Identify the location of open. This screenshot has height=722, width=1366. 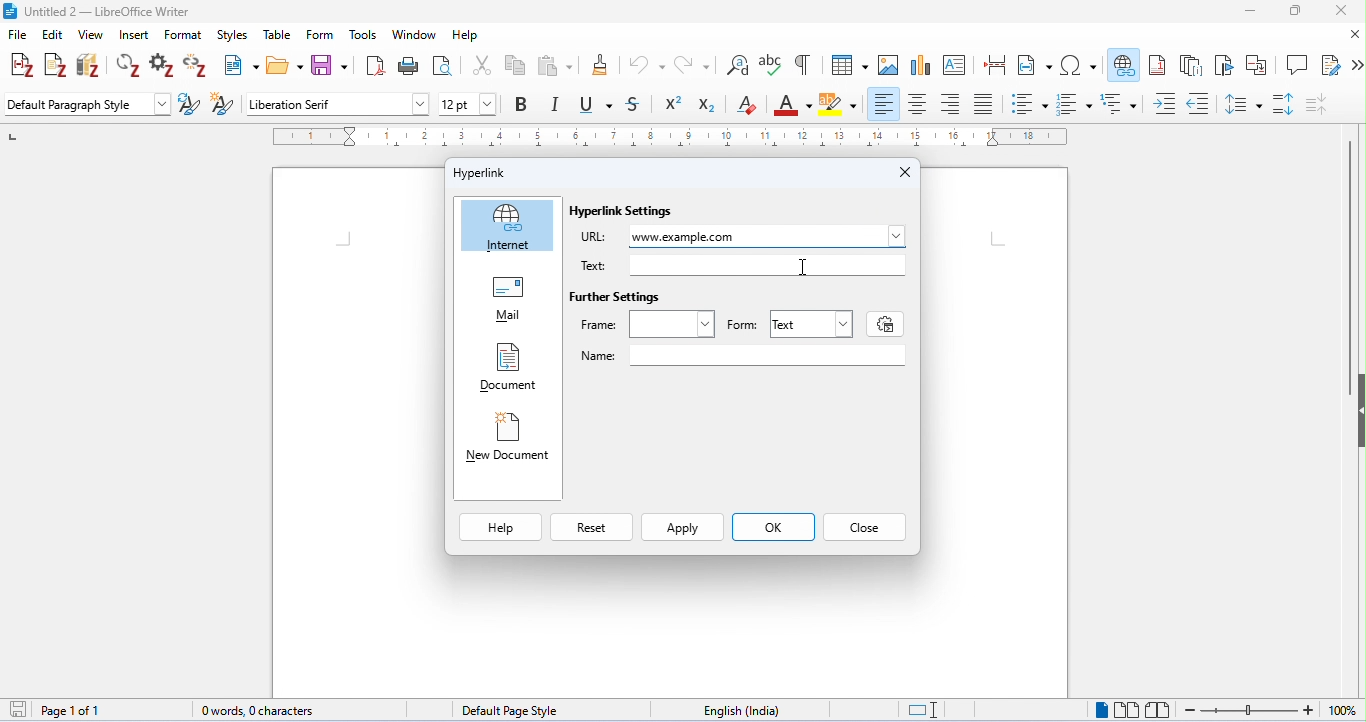
(284, 64).